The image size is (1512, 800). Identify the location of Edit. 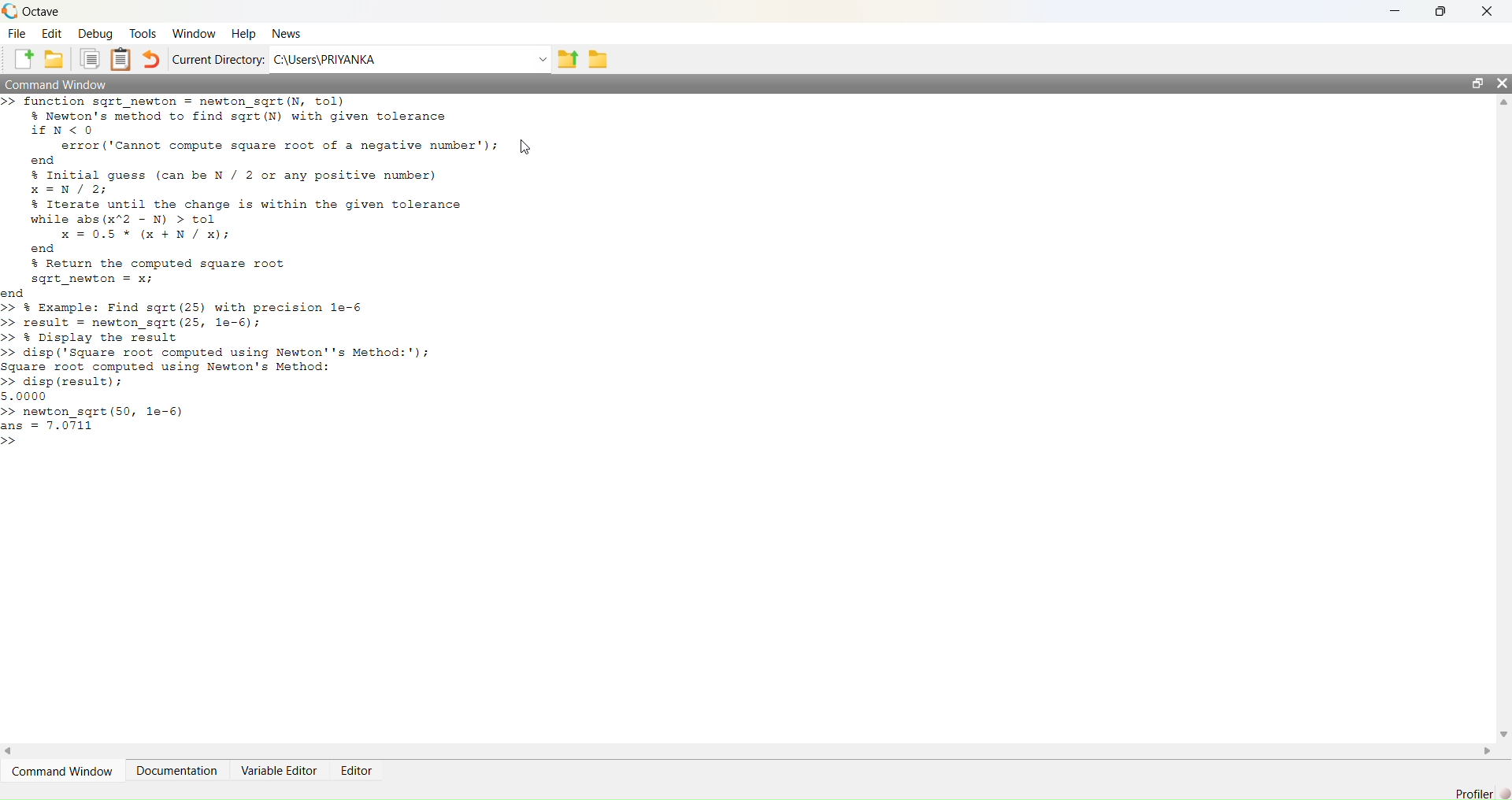
(52, 34).